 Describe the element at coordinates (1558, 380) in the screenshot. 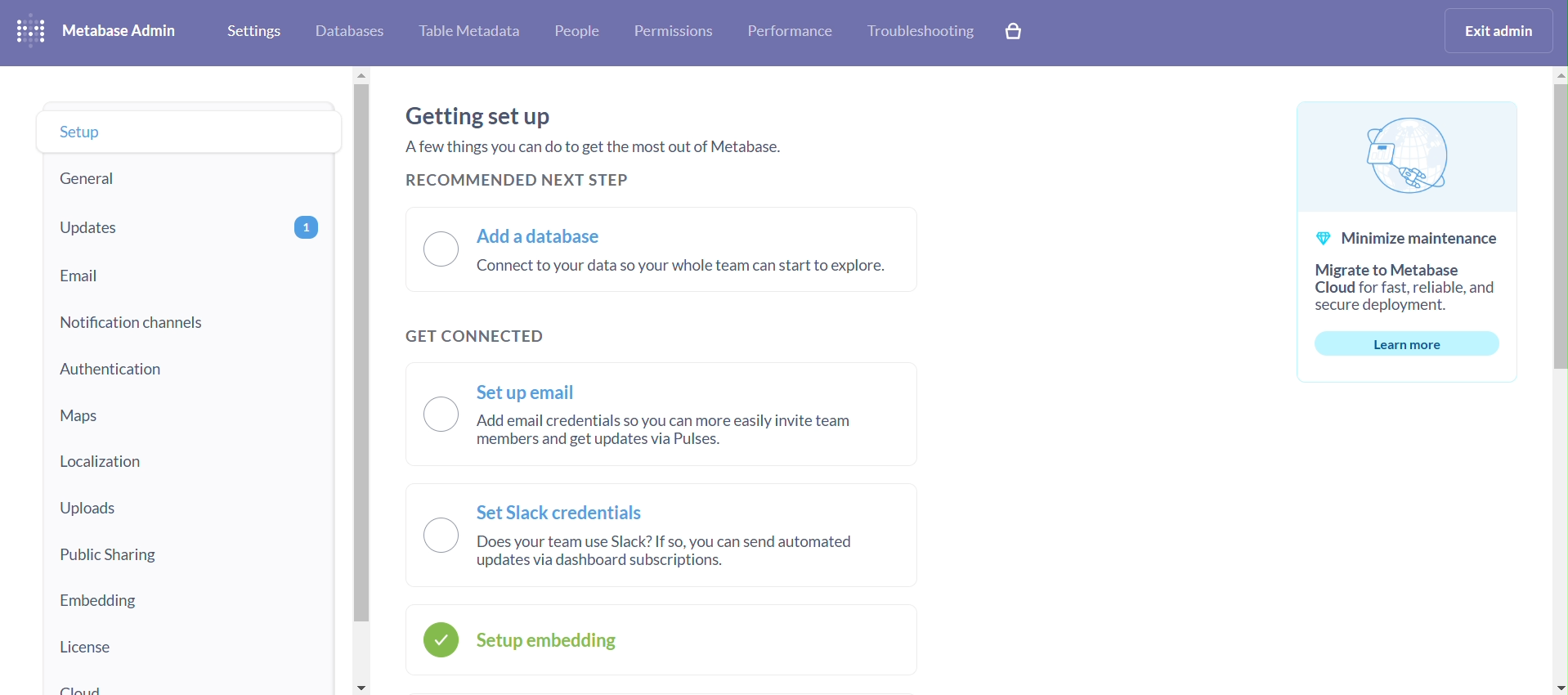

I see `vertical scroll bar` at that location.